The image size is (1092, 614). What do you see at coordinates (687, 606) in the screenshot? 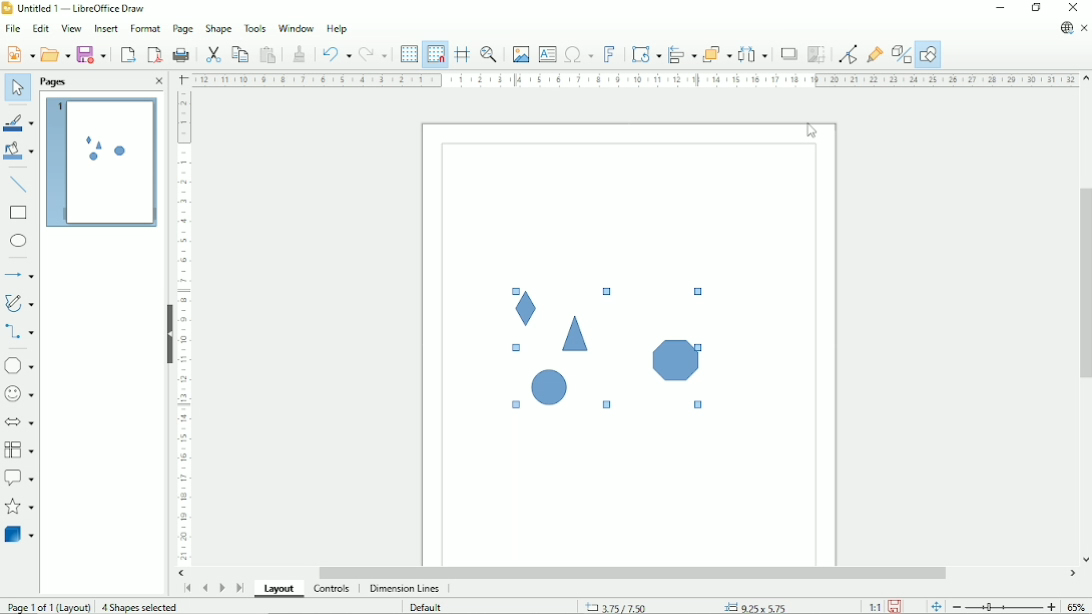
I see `Cursor position` at bounding box center [687, 606].